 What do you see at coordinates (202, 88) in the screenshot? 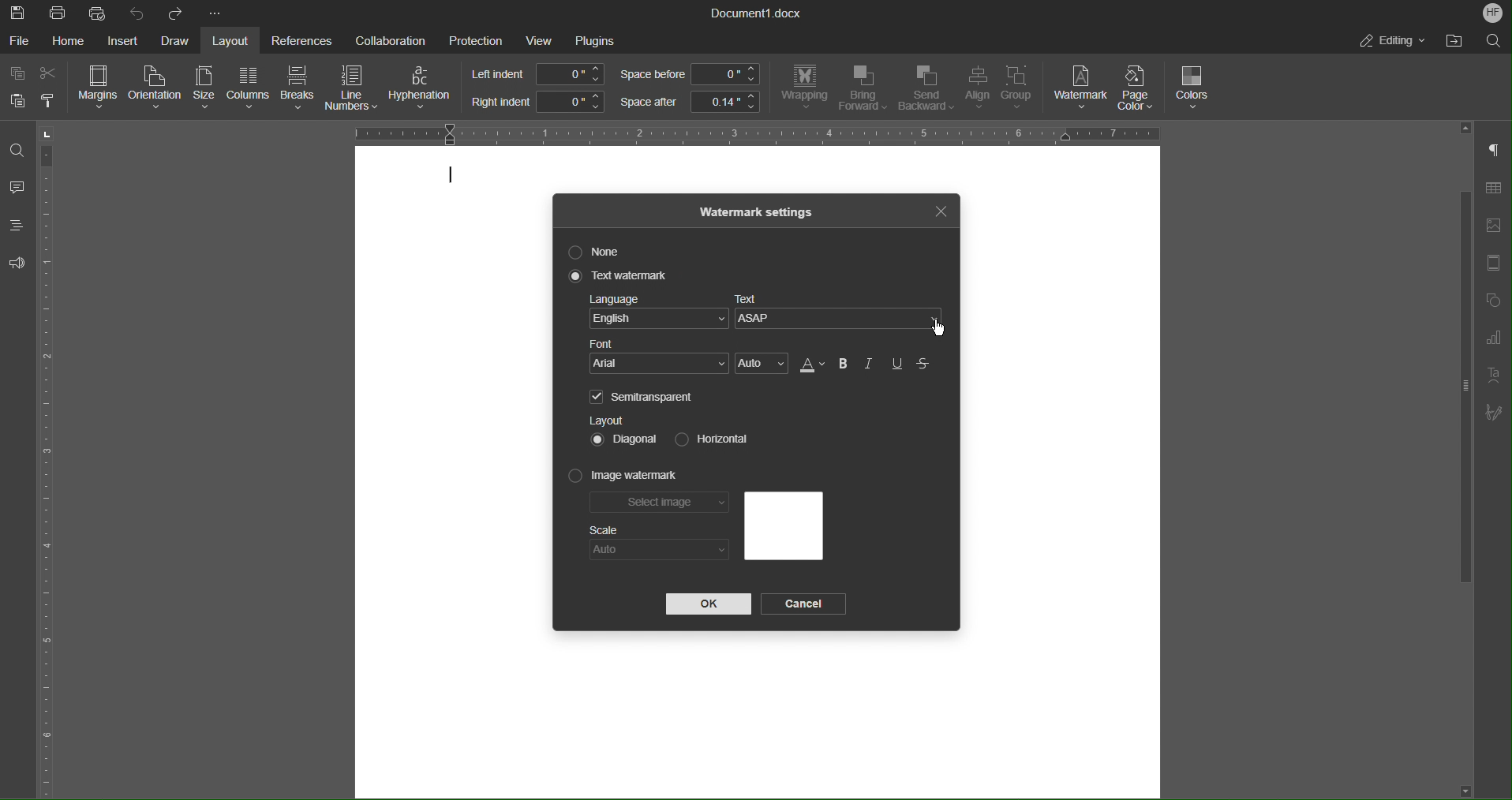
I see `Size` at bounding box center [202, 88].